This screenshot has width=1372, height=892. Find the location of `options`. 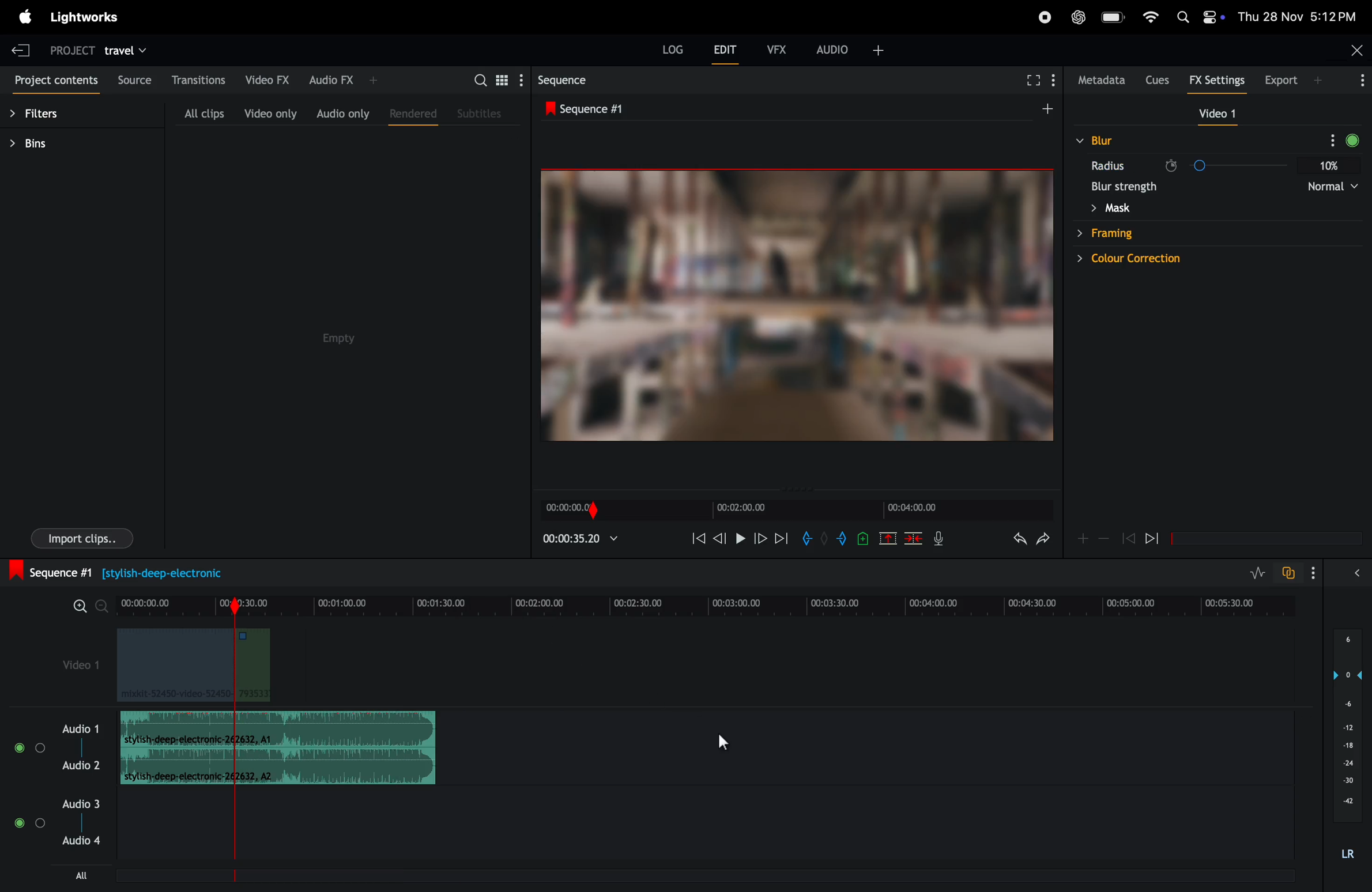

options is located at coordinates (1310, 572).